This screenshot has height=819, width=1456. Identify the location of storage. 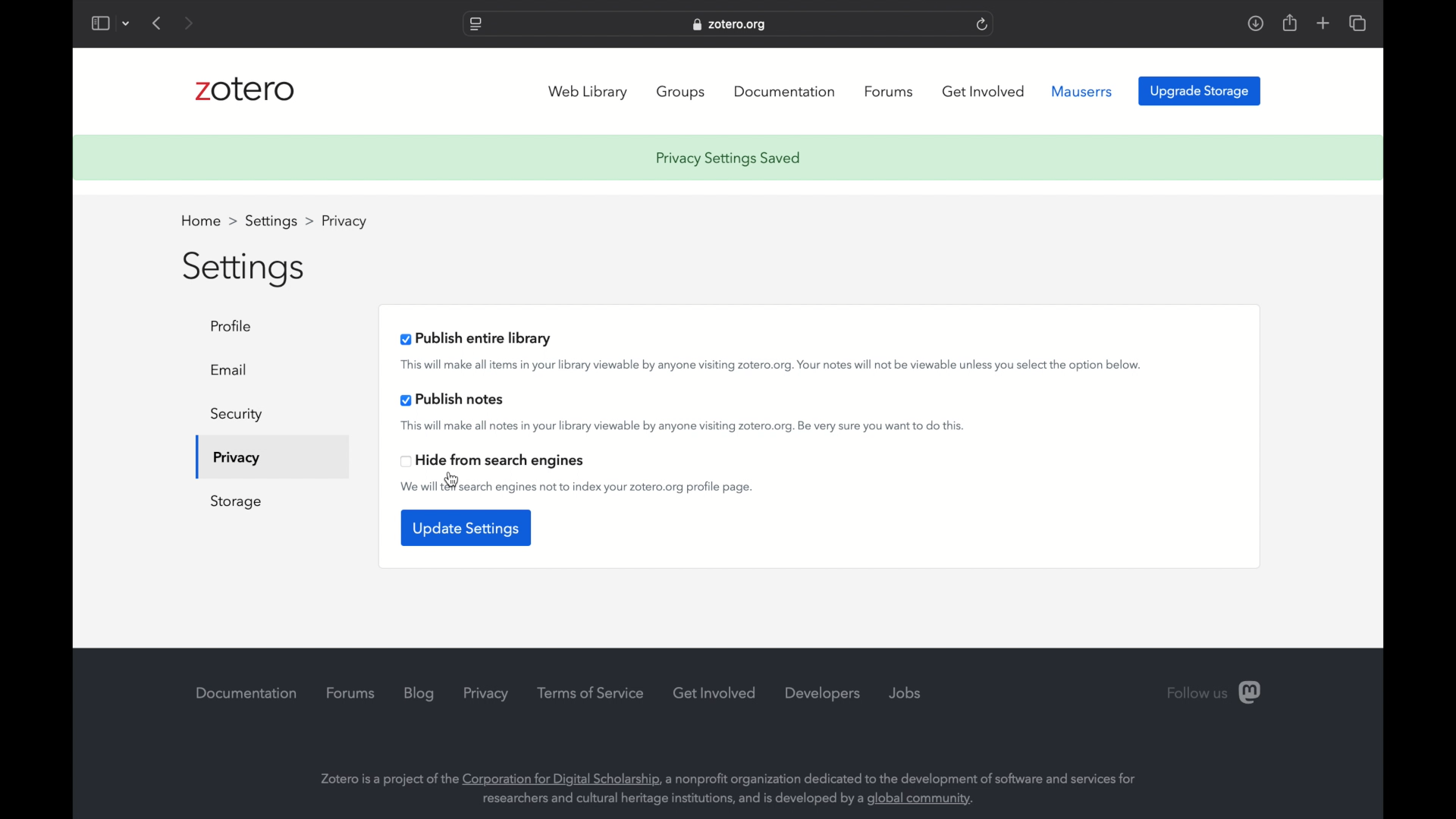
(237, 503).